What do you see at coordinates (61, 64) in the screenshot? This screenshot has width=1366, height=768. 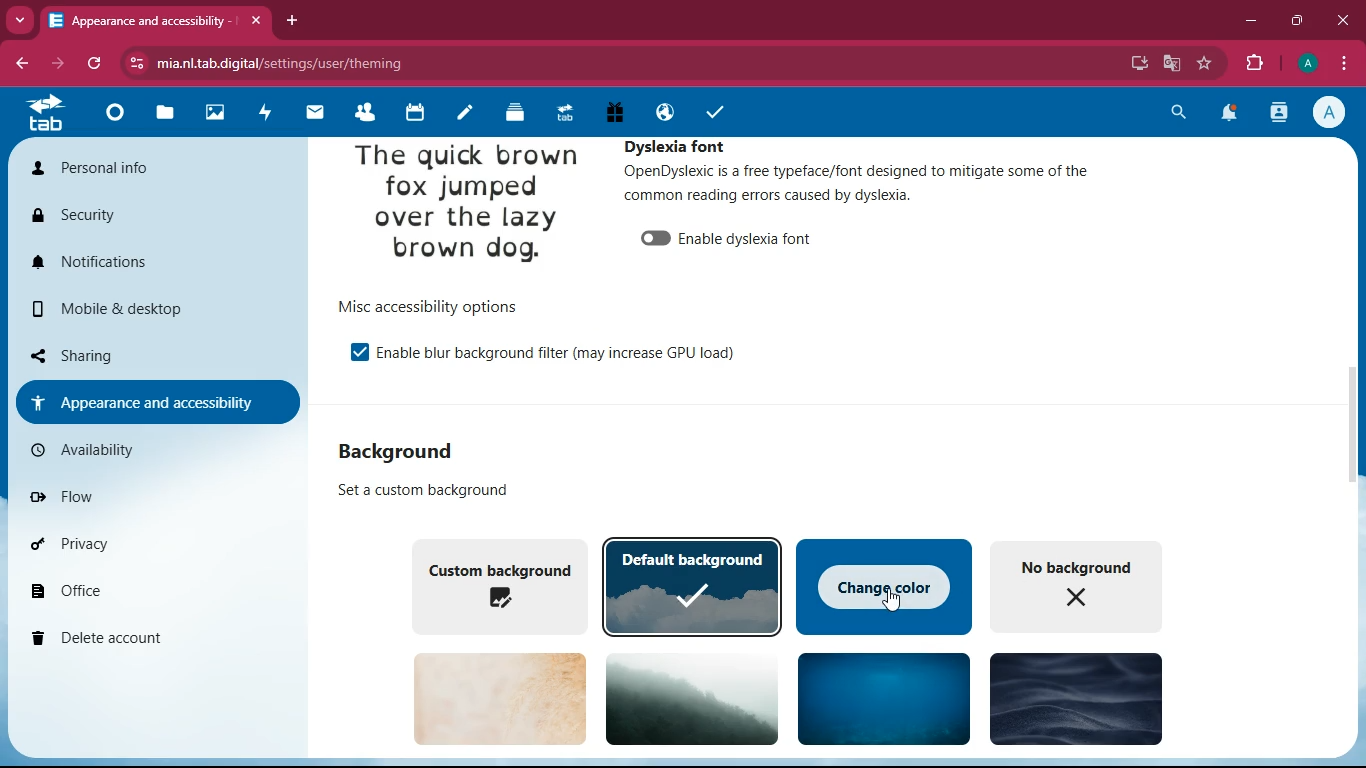 I see `forward` at bounding box center [61, 64].